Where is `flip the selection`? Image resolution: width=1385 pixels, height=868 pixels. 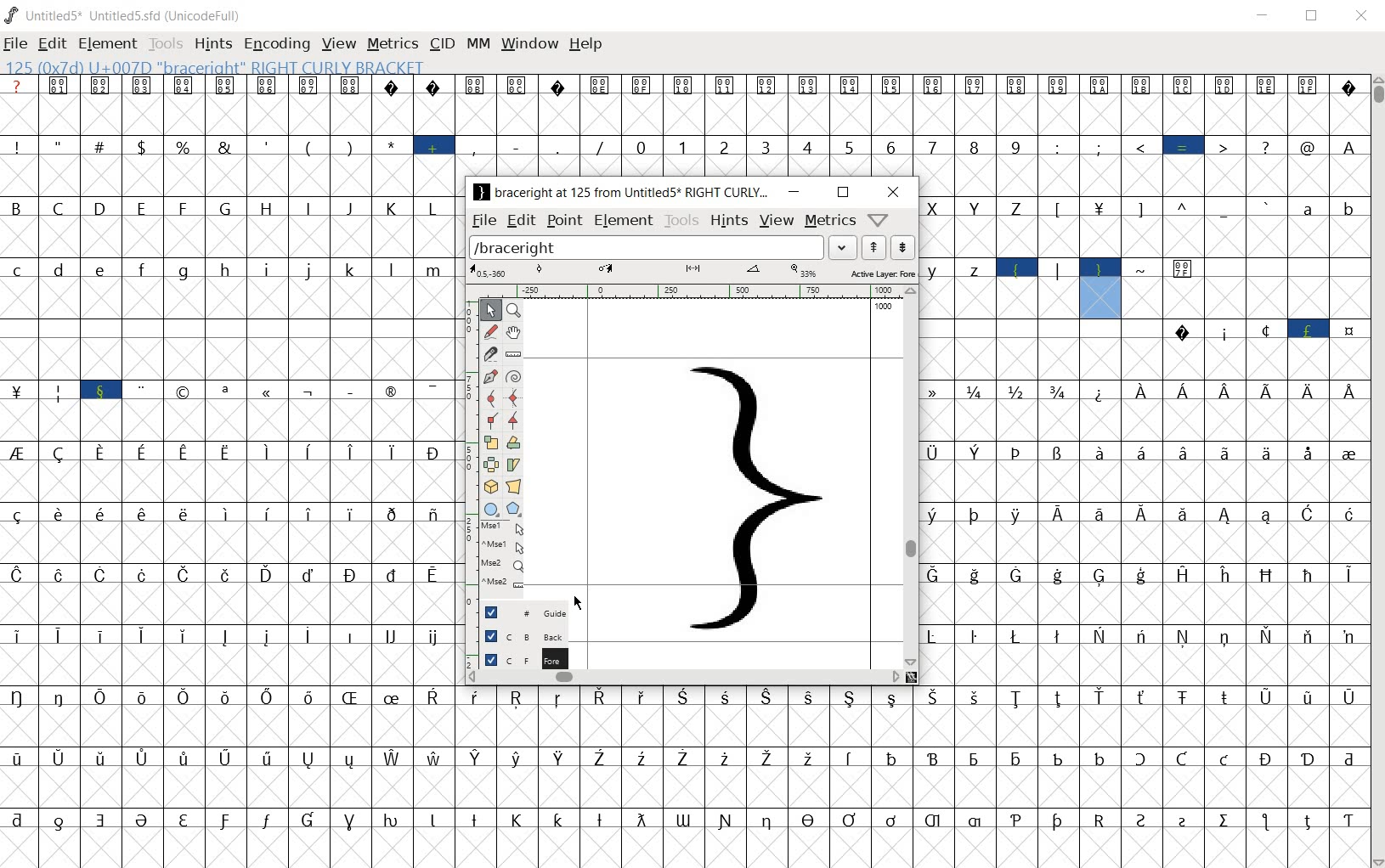 flip the selection is located at coordinates (490, 464).